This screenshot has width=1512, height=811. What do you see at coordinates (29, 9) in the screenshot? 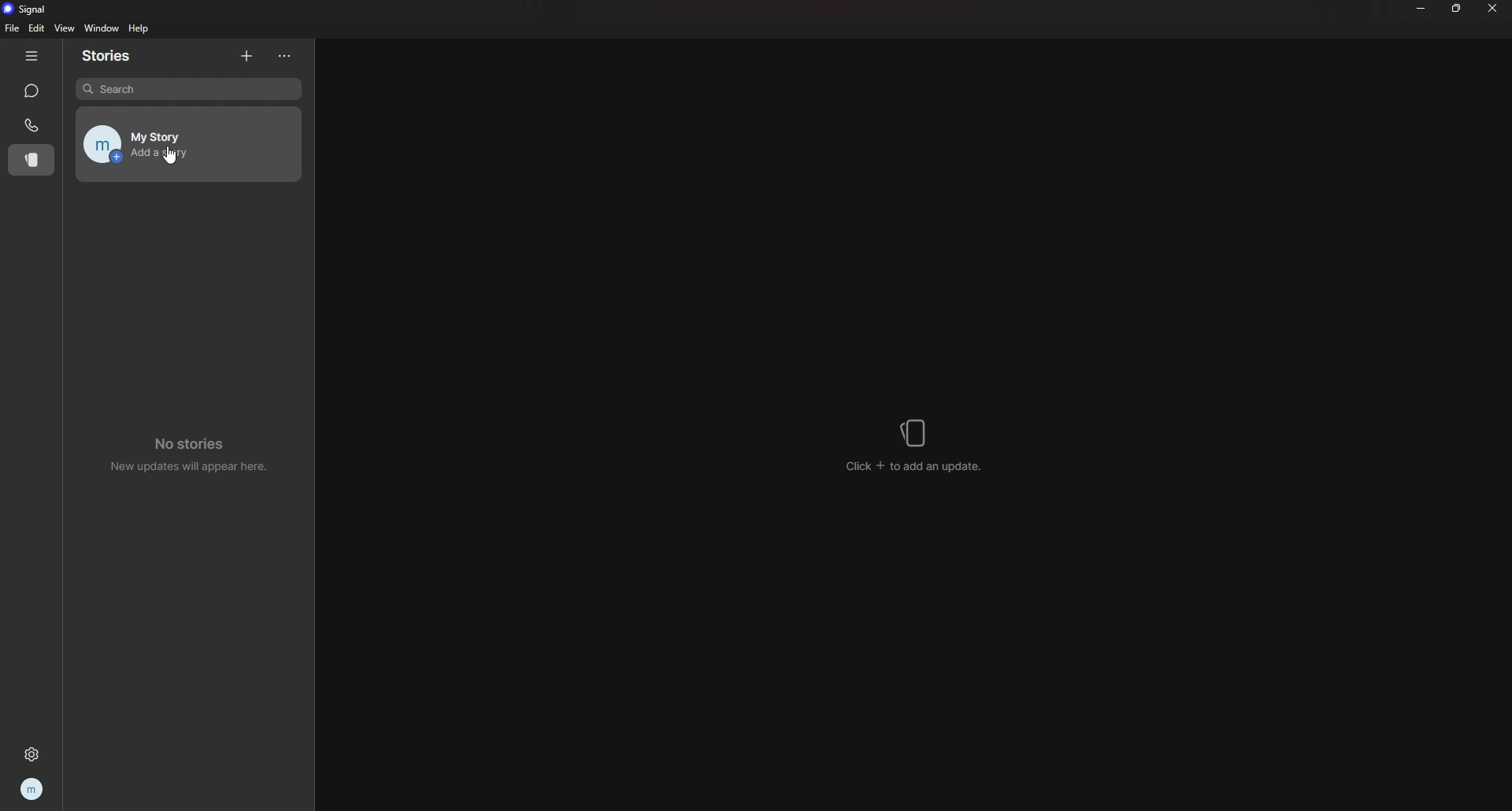
I see `signal` at bounding box center [29, 9].